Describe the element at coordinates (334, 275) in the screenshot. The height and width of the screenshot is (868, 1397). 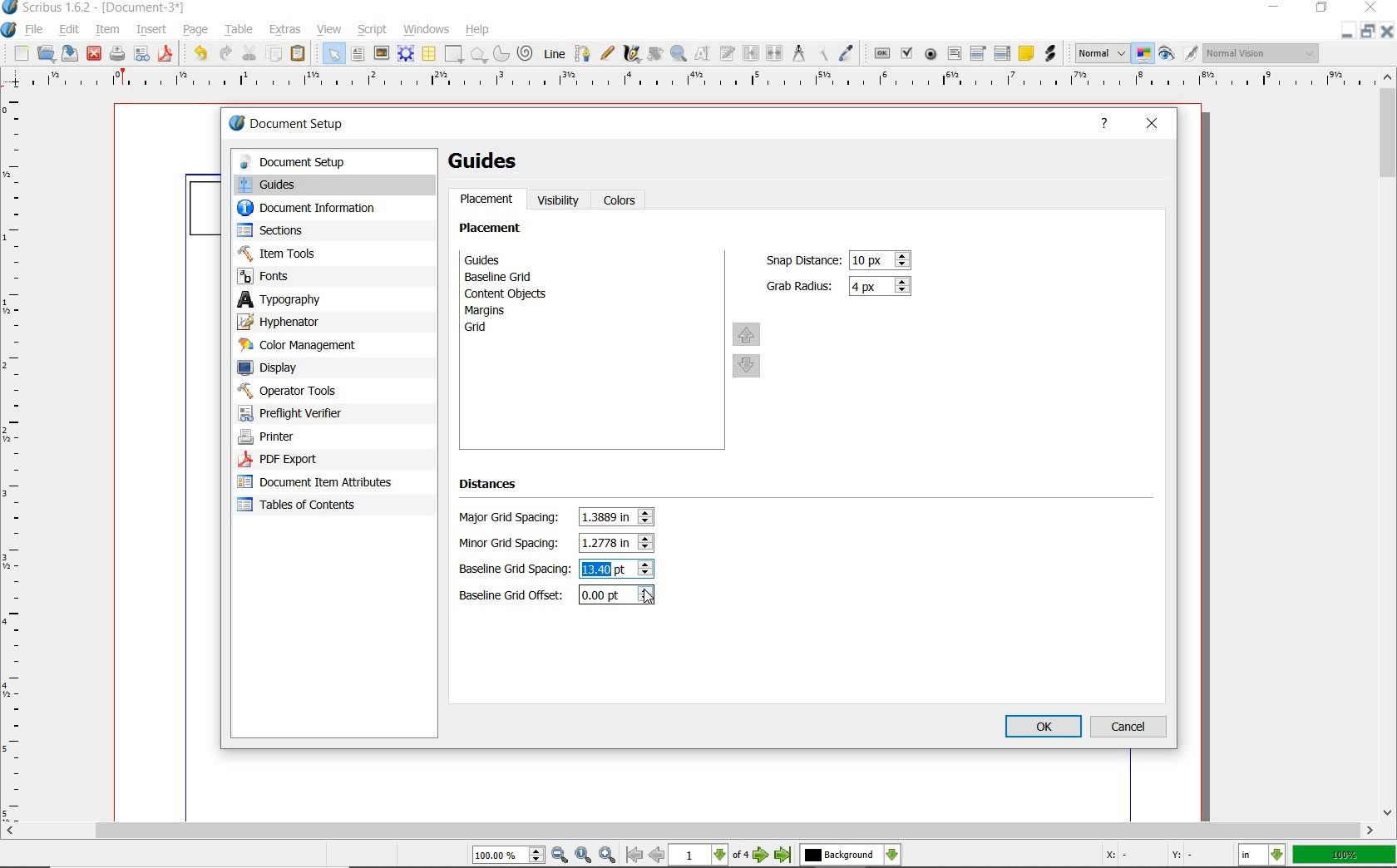
I see `fonts` at that location.